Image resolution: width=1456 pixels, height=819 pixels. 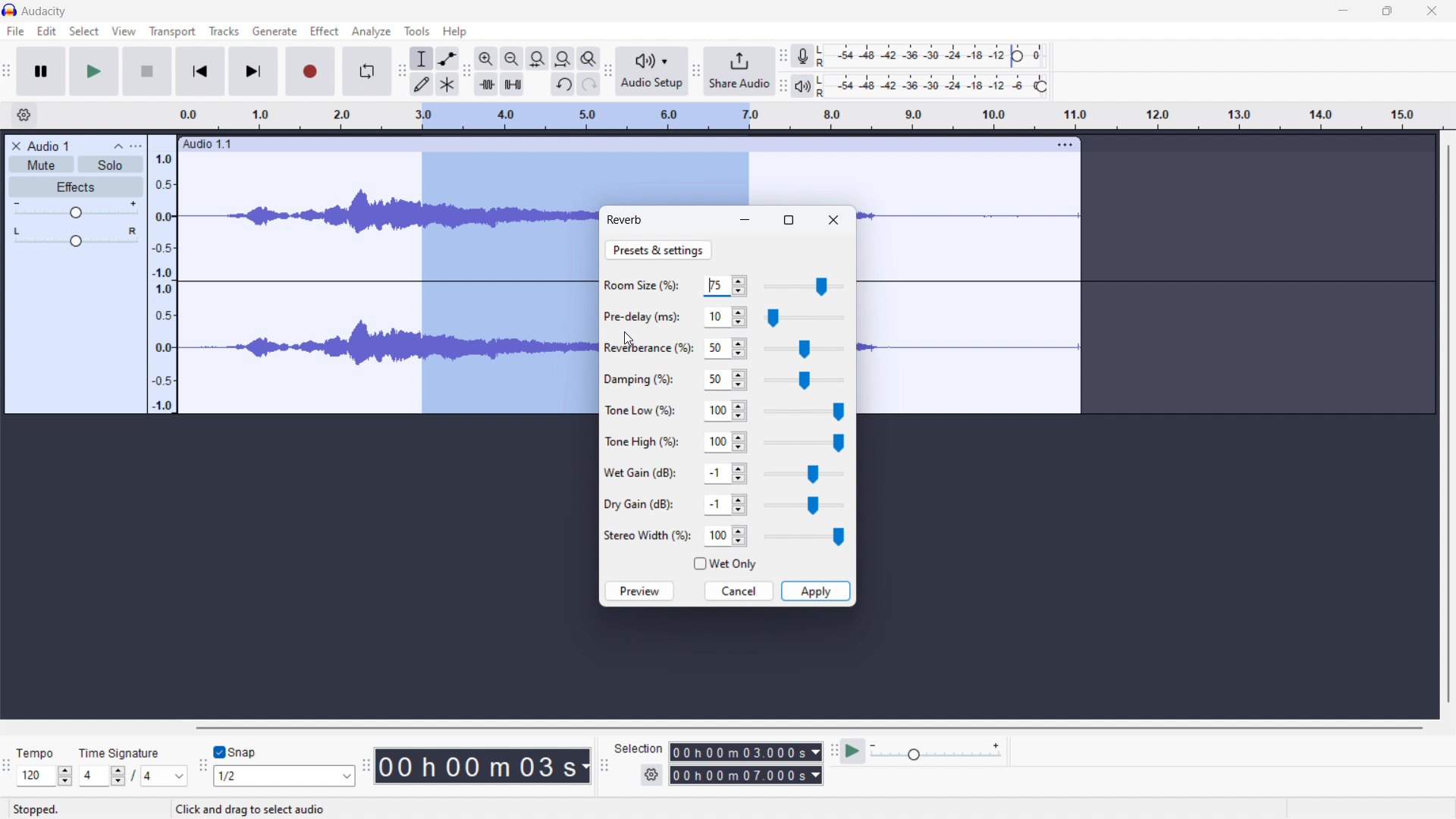 I want to click on toggle snap, so click(x=237, y=752).